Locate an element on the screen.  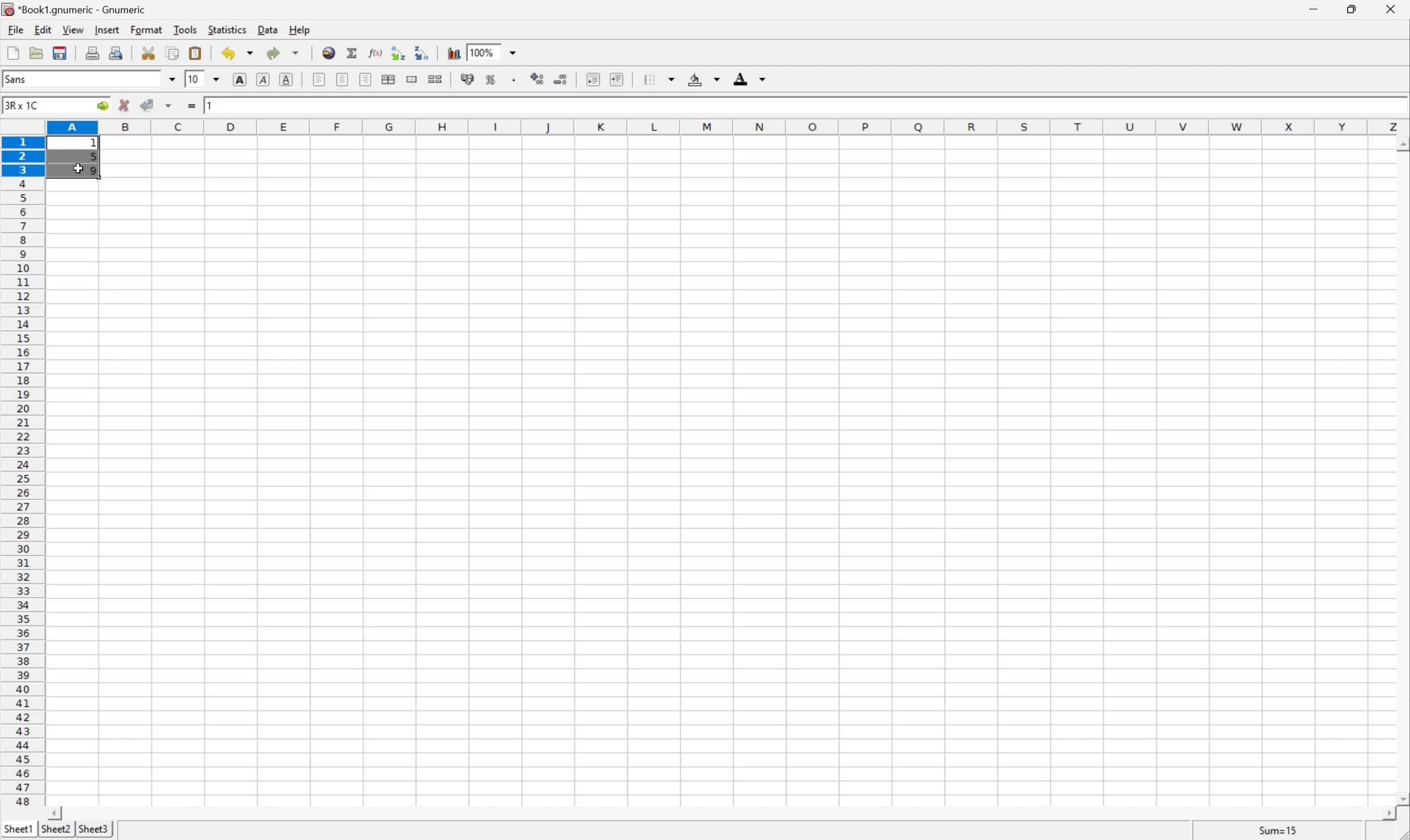
merge a range of cells is located at coordinates (415, 79).